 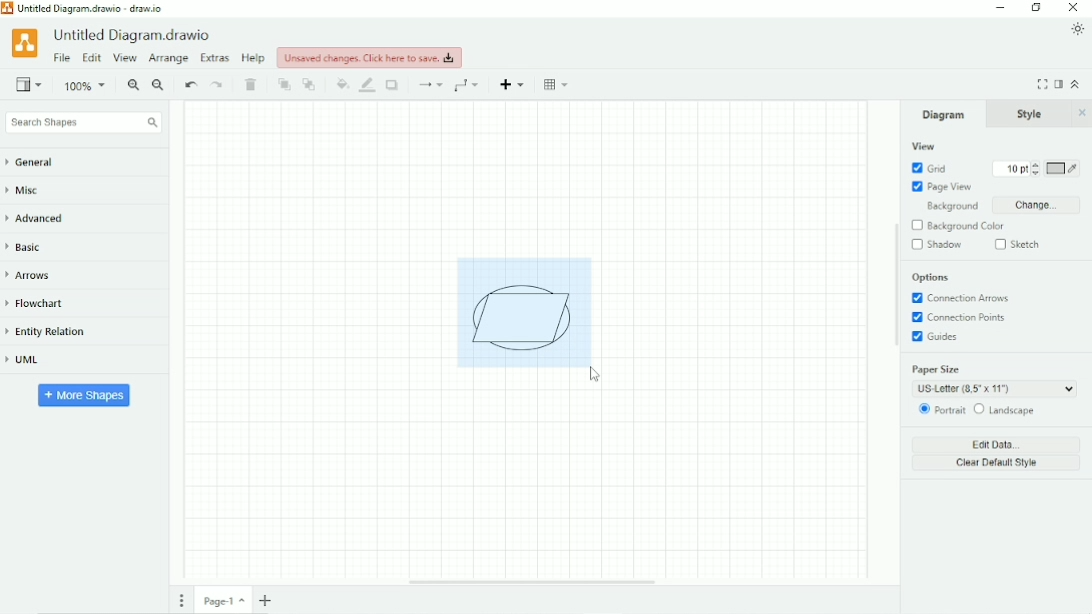 What do you see at coordinates (62, 58) in the screenshot?
I see `File` at bounding box center [62, 58].